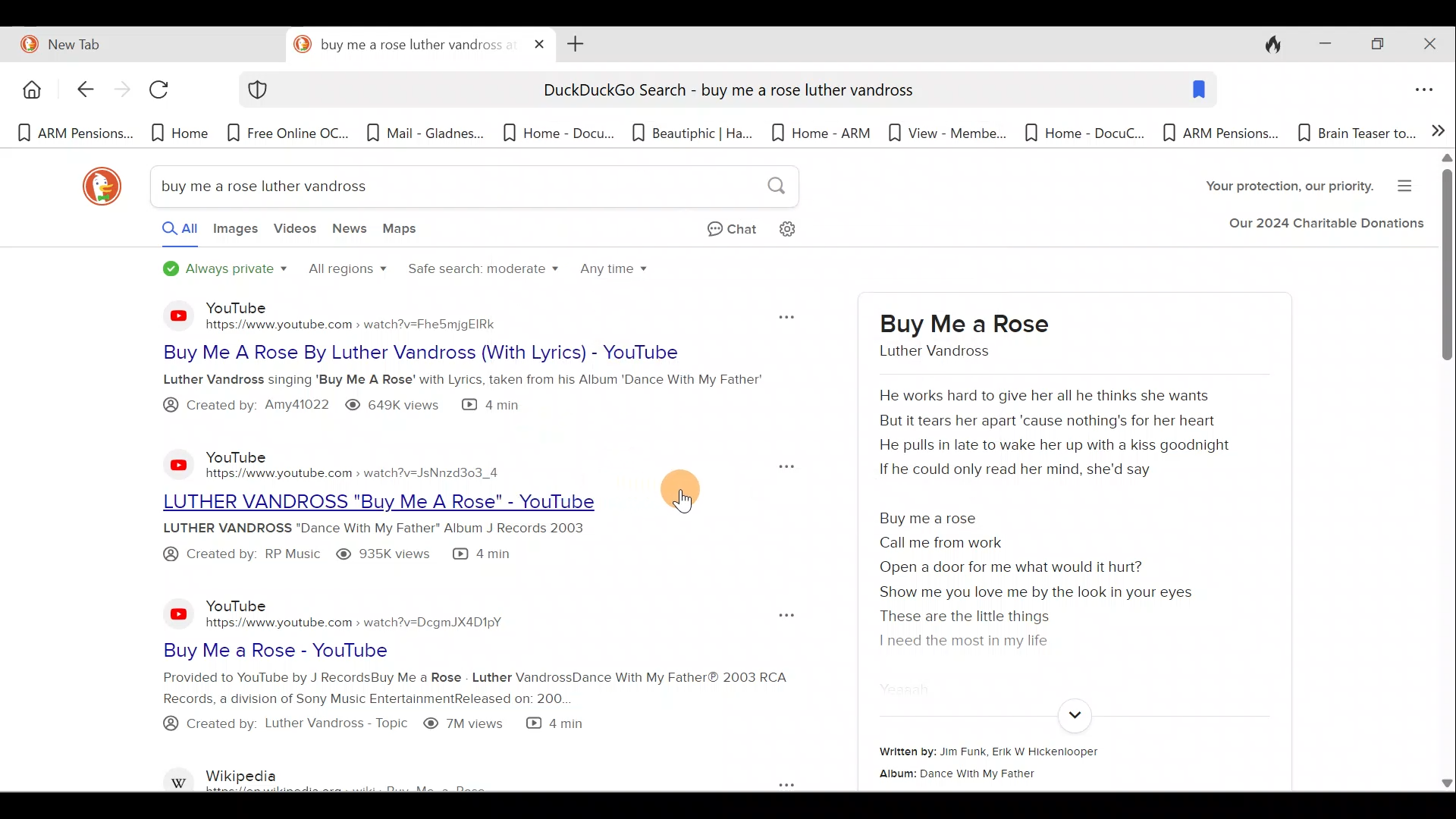 The width and height of the screenshot is (1456, 819). I want to click on DuckDuckGo Search - buy me a rose luther vandross, so click(726, 93).